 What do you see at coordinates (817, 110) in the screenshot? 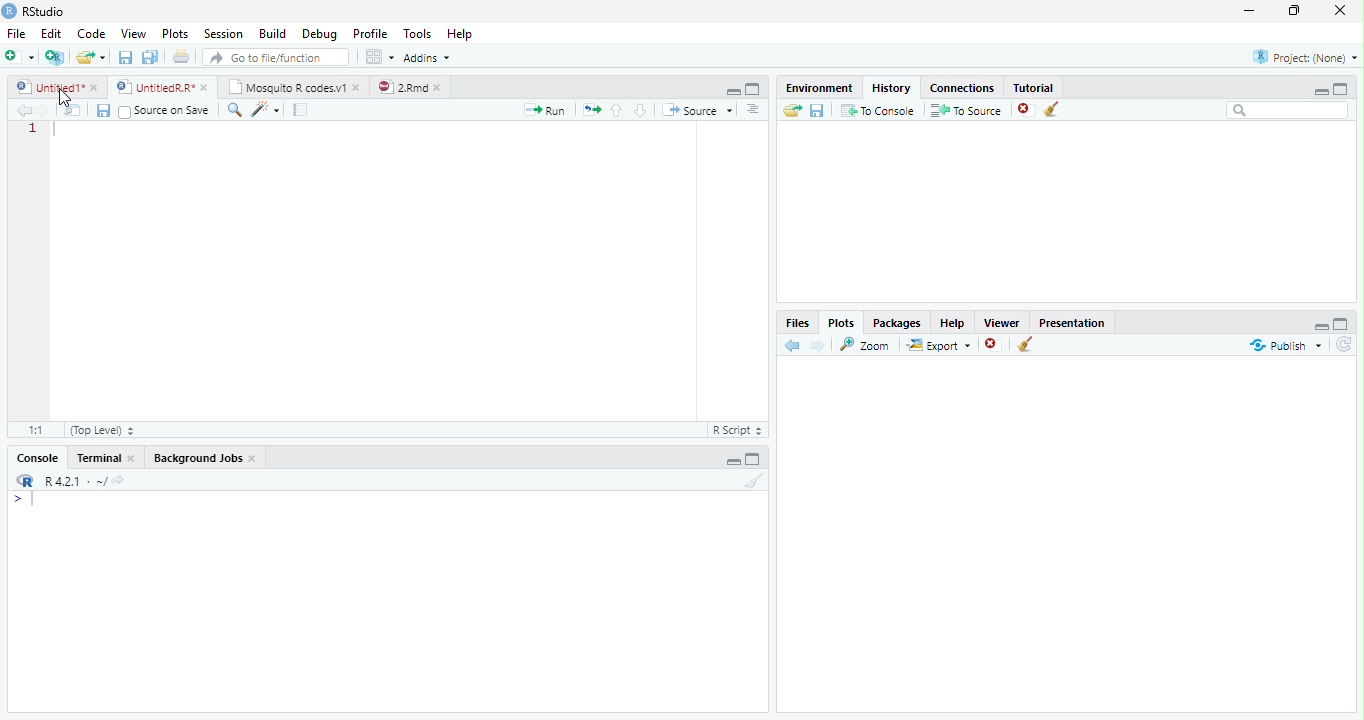
I see `Save` at bounding box center [817, 110].